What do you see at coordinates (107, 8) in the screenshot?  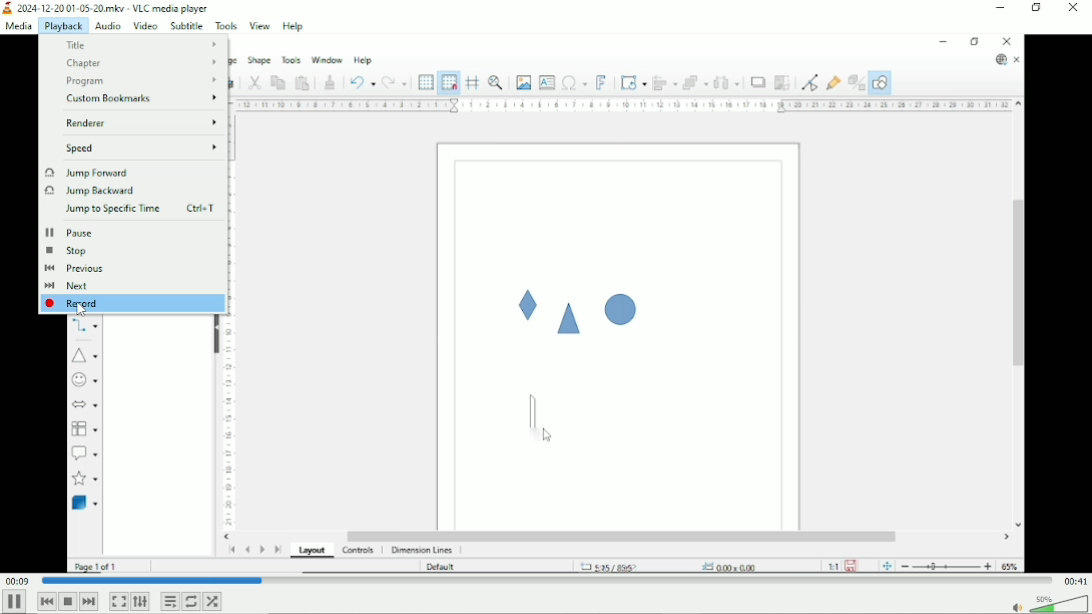 I see `2024-12-20 01-05-20.mkv - VLC media player` at bounding box center [107, 8].